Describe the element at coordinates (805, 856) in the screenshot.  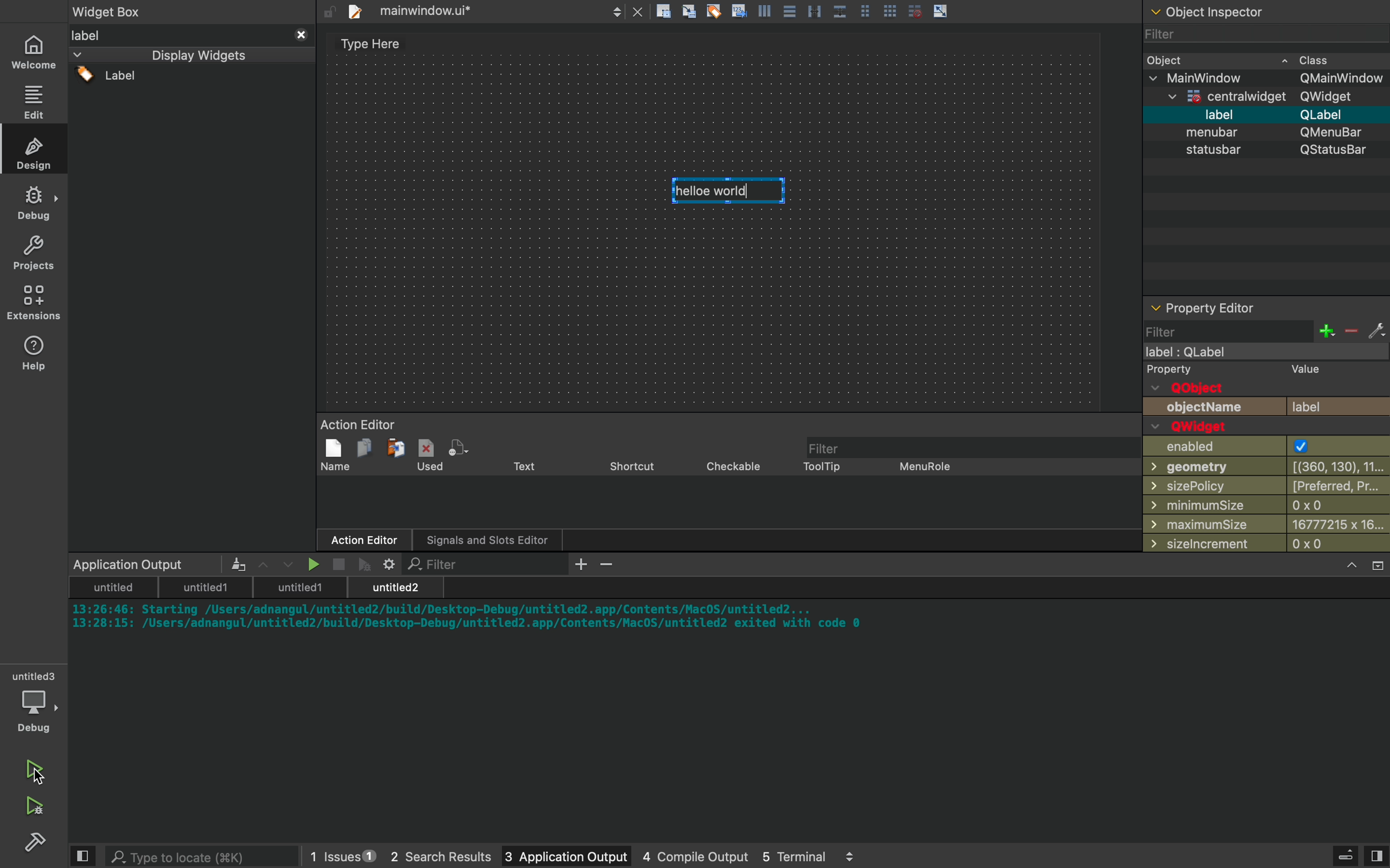
I see `5 terminal` at that location.